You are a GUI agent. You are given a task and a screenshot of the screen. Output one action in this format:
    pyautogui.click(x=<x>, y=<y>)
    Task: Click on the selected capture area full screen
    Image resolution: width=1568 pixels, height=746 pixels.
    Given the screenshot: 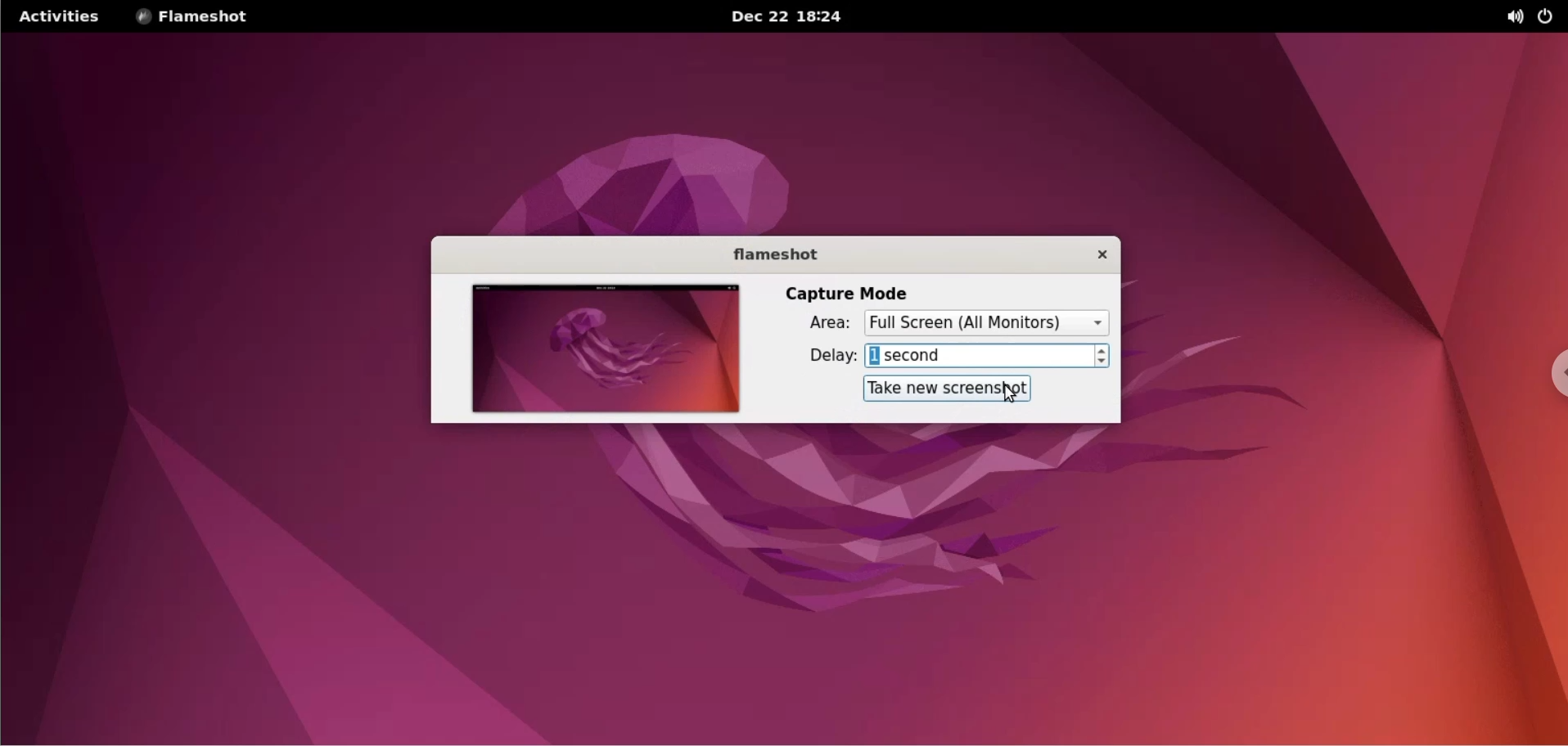 What is the action you would take?
    pyautogui.click(x=989, y=324)
    